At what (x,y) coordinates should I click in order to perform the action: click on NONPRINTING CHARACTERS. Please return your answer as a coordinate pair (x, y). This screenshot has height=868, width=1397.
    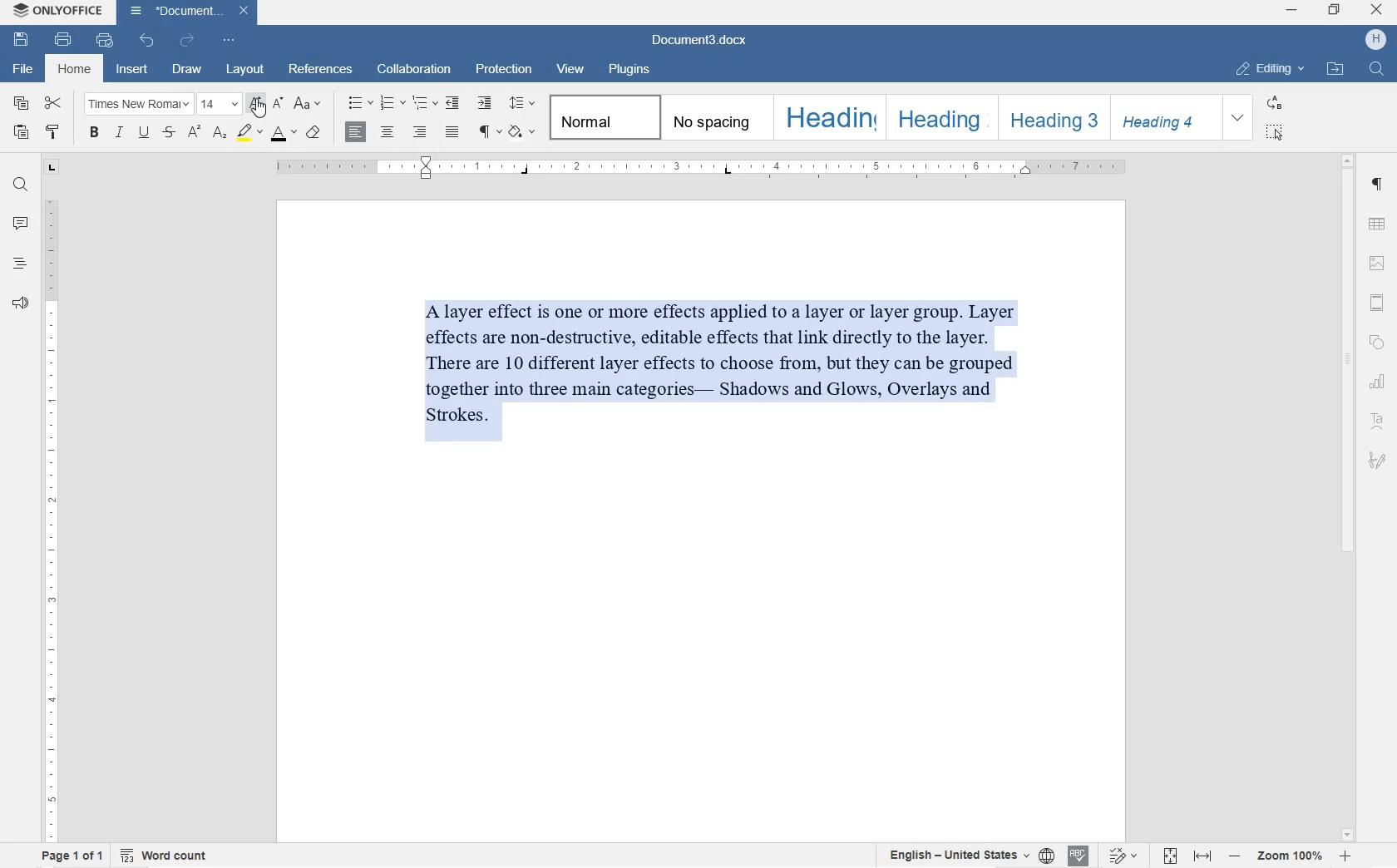
    Looking at the image, I should click on (490, 132).